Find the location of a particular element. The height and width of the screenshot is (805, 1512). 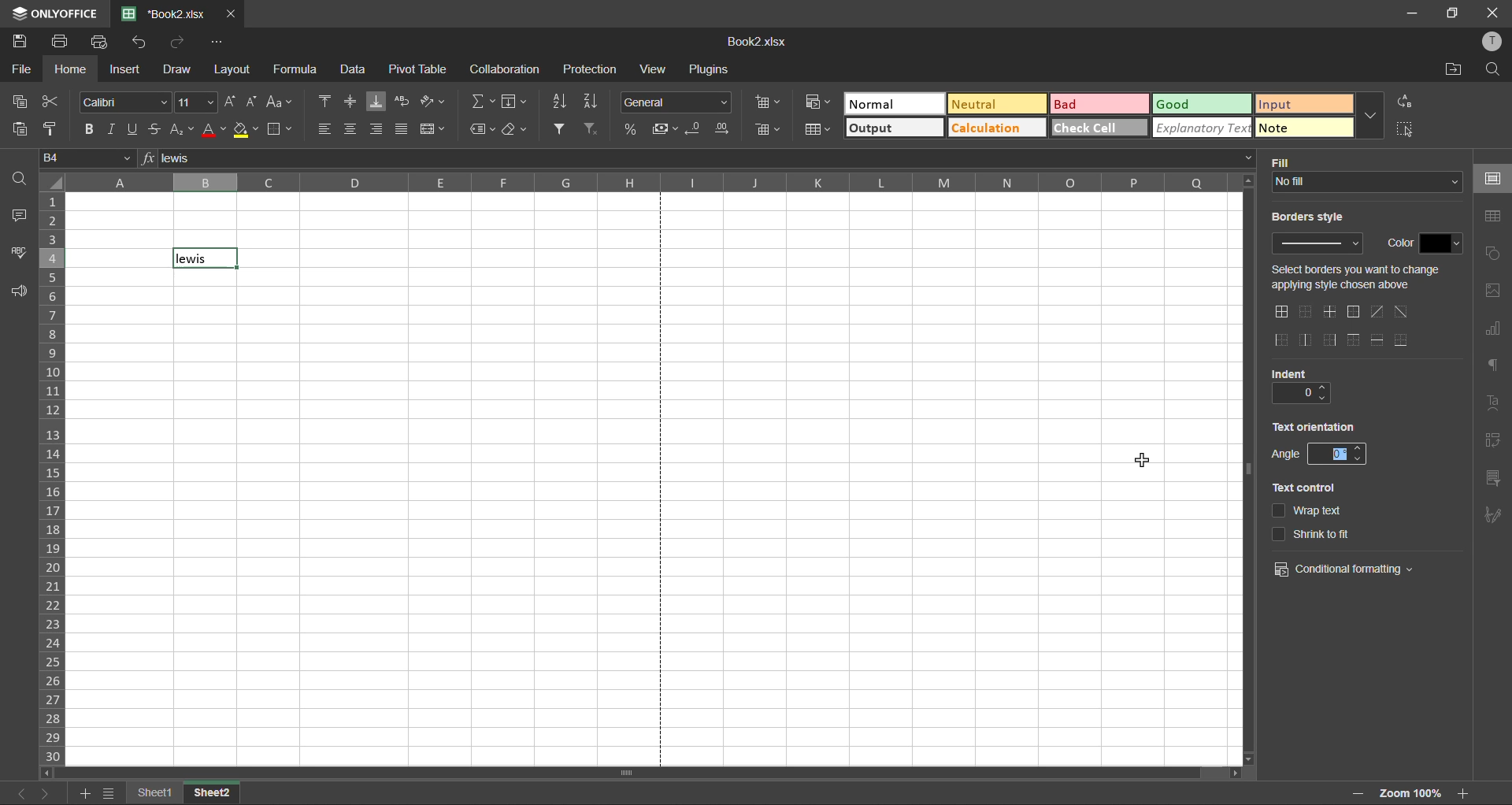

increase decimal is located at coordinates (721, 129).